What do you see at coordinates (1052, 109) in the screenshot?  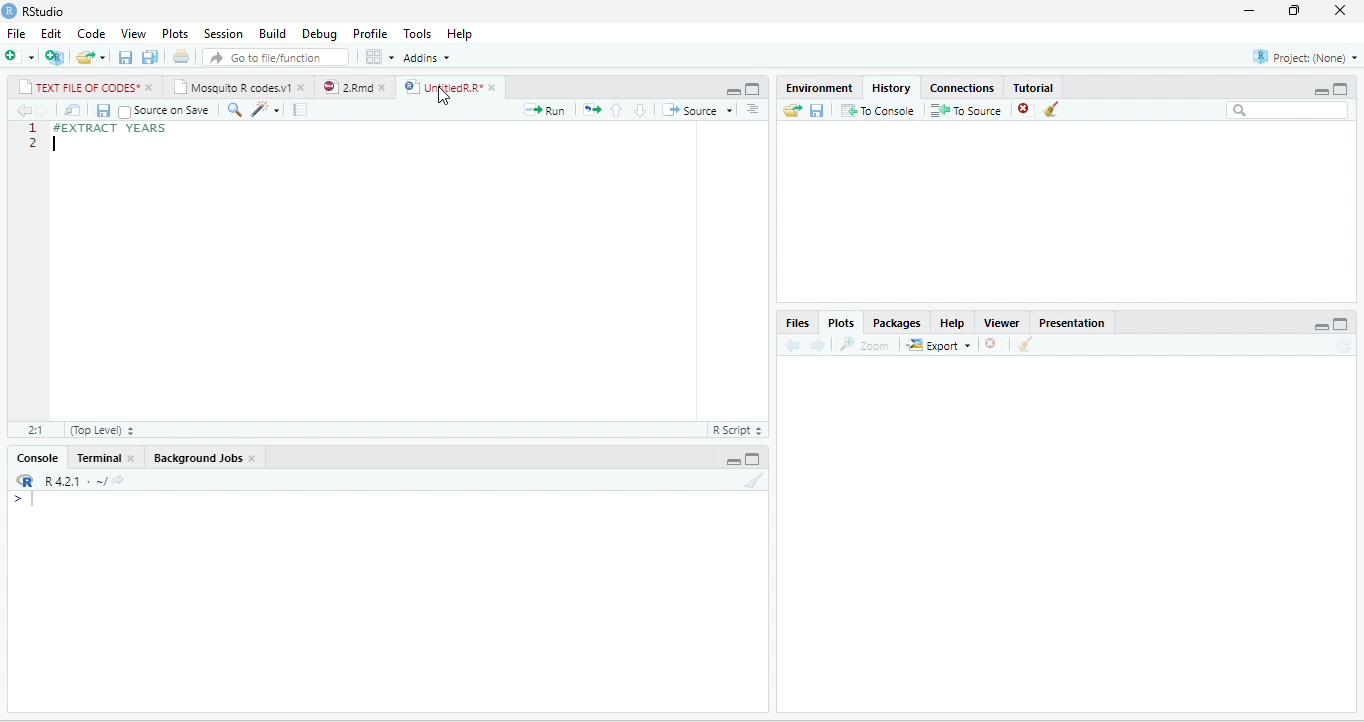 I see `clear` at bounding box center [1052, 109].